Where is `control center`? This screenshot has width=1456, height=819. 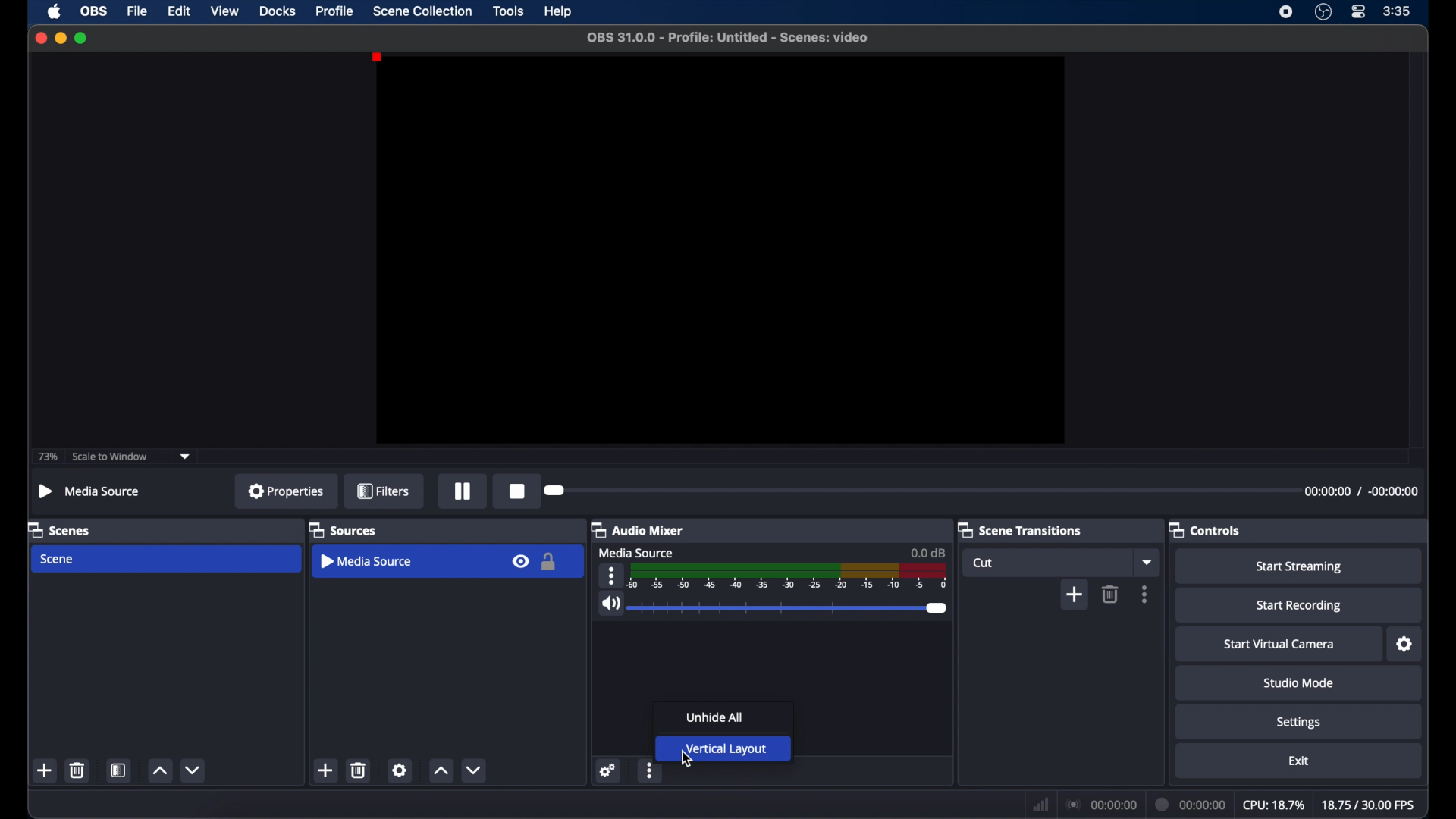 control center is located at coordinates (1360, 12).